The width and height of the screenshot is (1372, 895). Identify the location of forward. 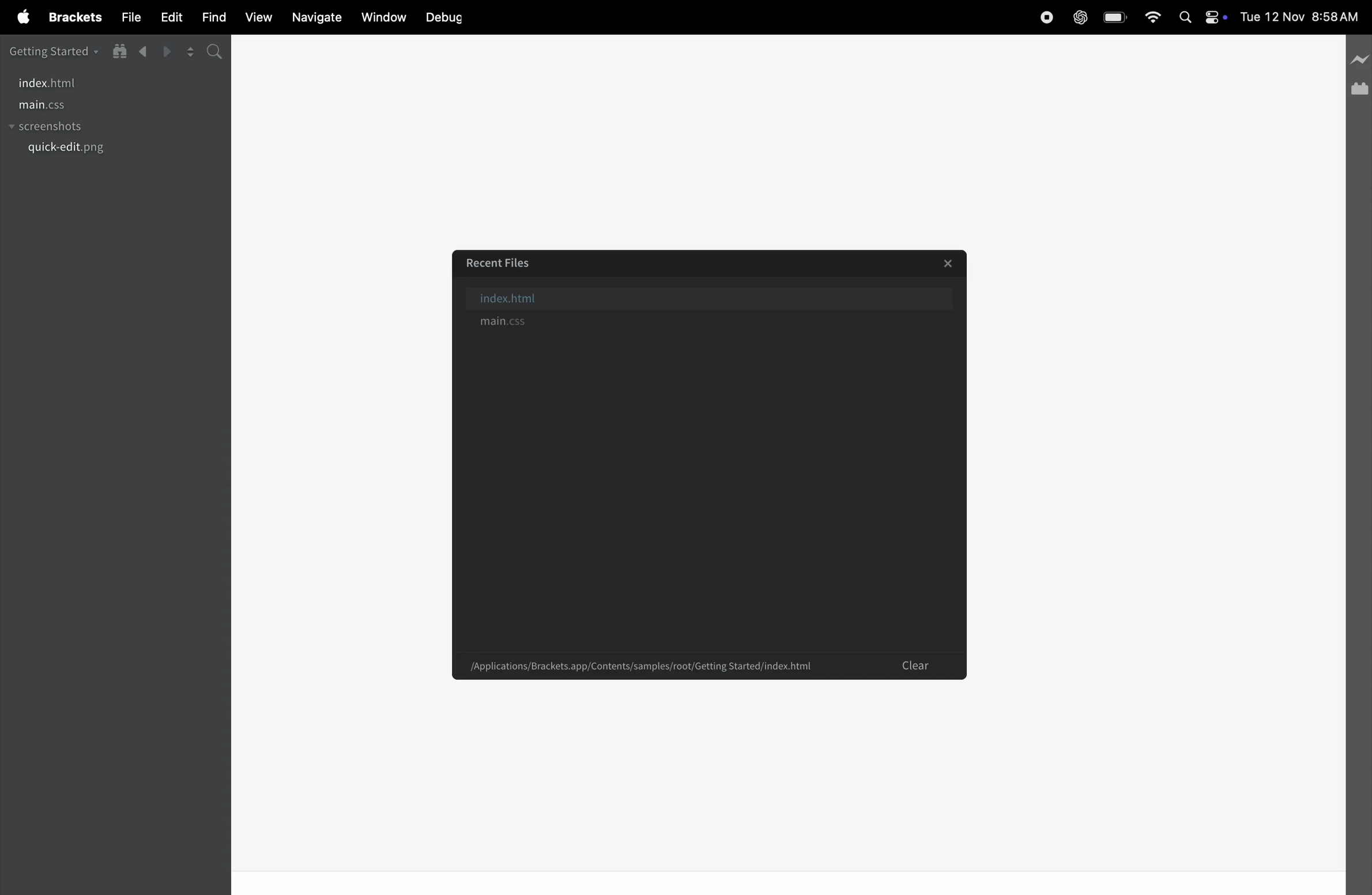
(166, 51).